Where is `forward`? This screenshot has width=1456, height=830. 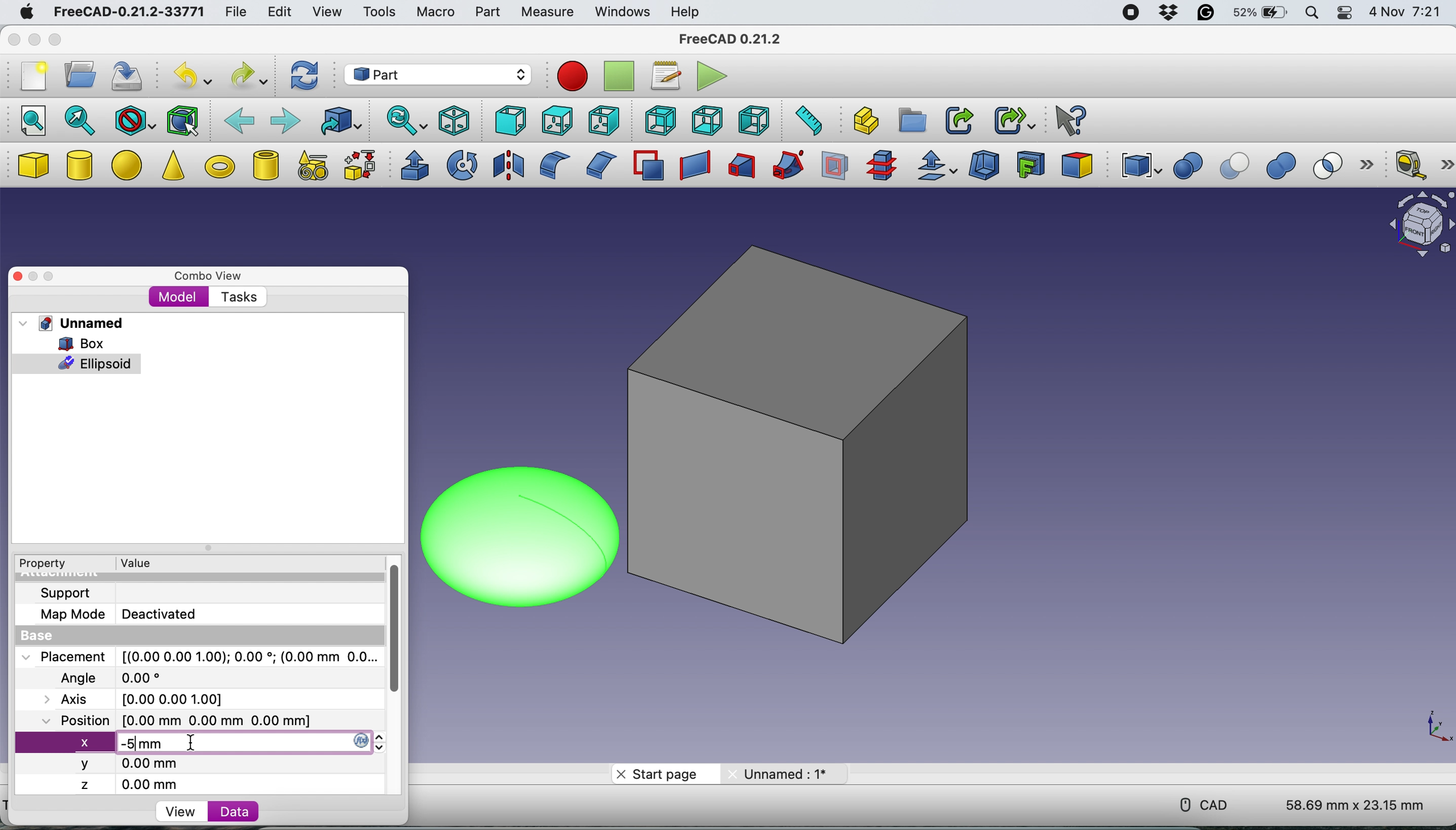 forward is located at coordinates (284, 119).